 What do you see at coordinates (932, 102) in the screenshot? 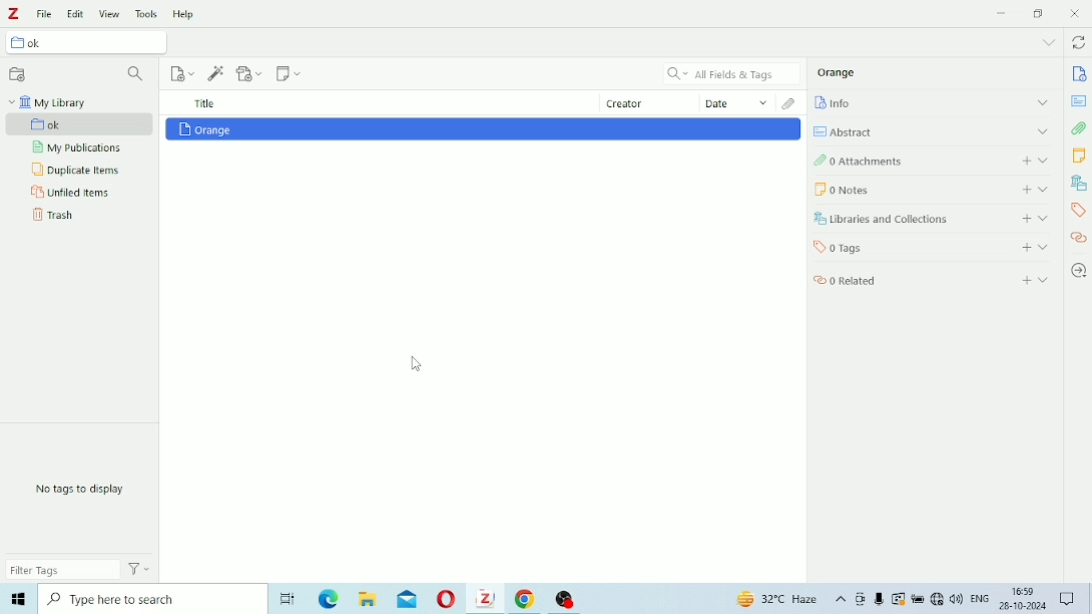
I see `Info` at bounding box center [932, 102].